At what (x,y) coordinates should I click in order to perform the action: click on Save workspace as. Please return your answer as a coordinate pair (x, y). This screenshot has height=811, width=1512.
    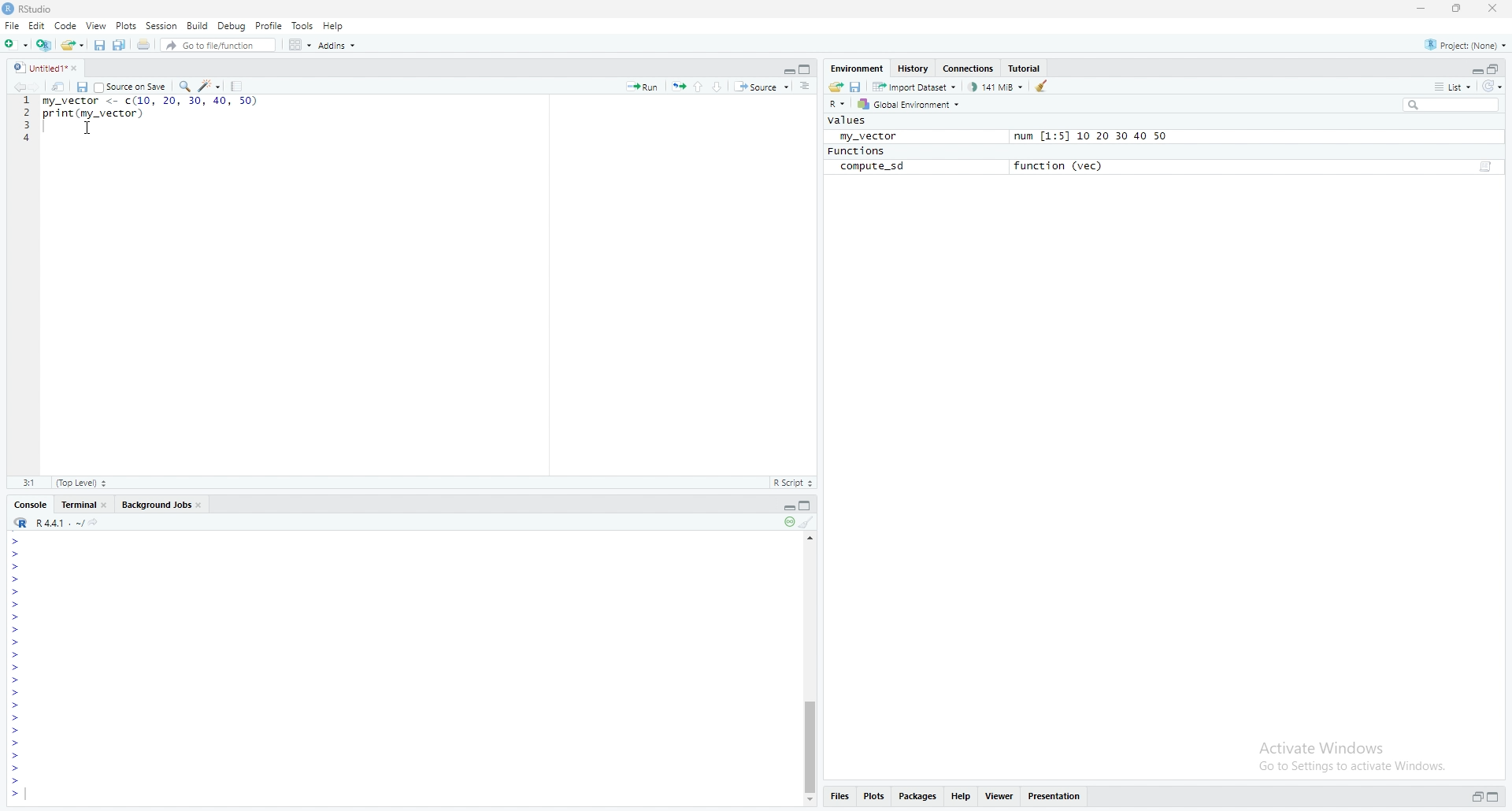
    Looking at the image, I should click on (858, 86).